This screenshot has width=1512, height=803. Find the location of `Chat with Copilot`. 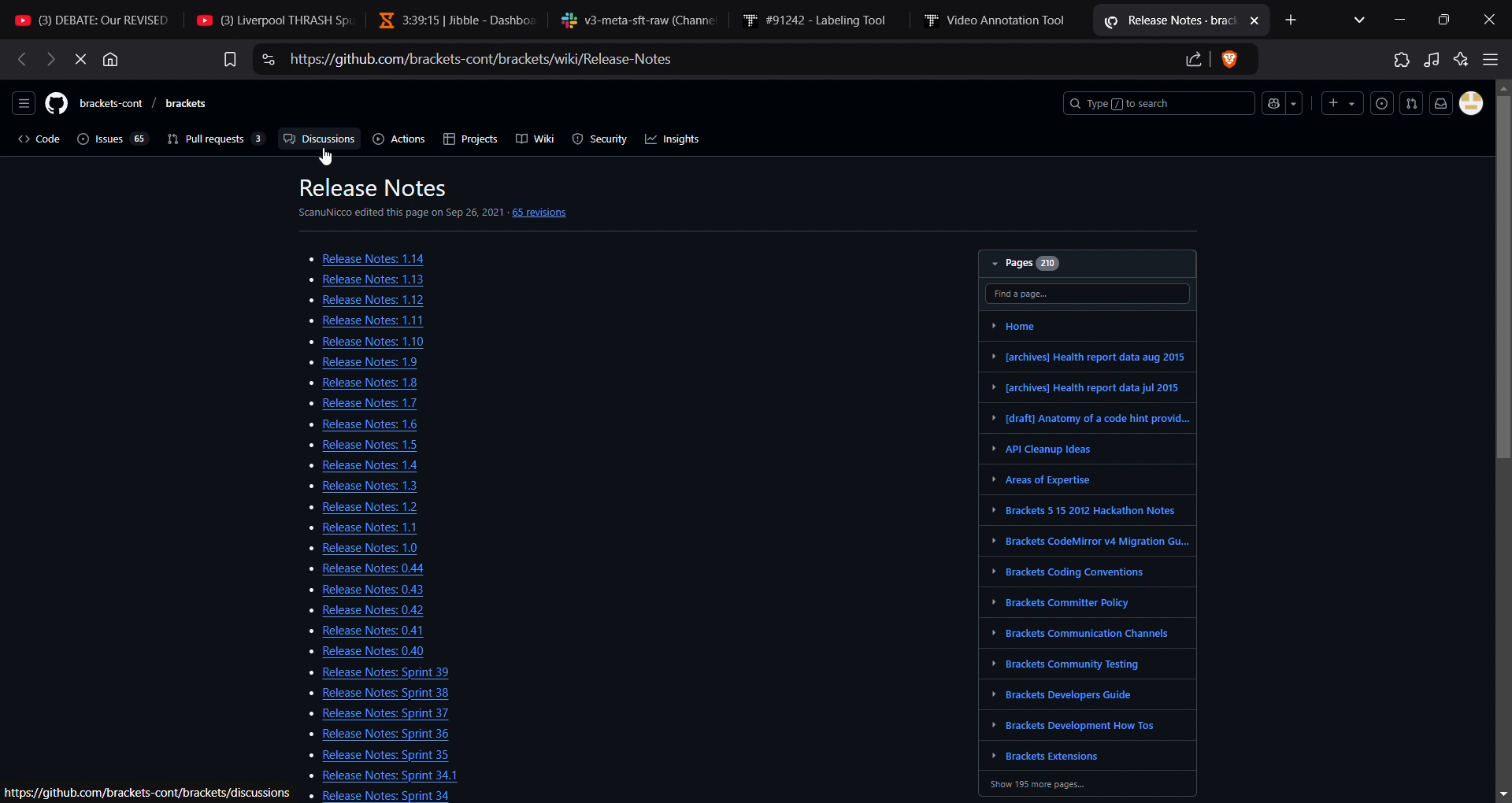

Chat with Copilot is located at coordinates (1281, 104).